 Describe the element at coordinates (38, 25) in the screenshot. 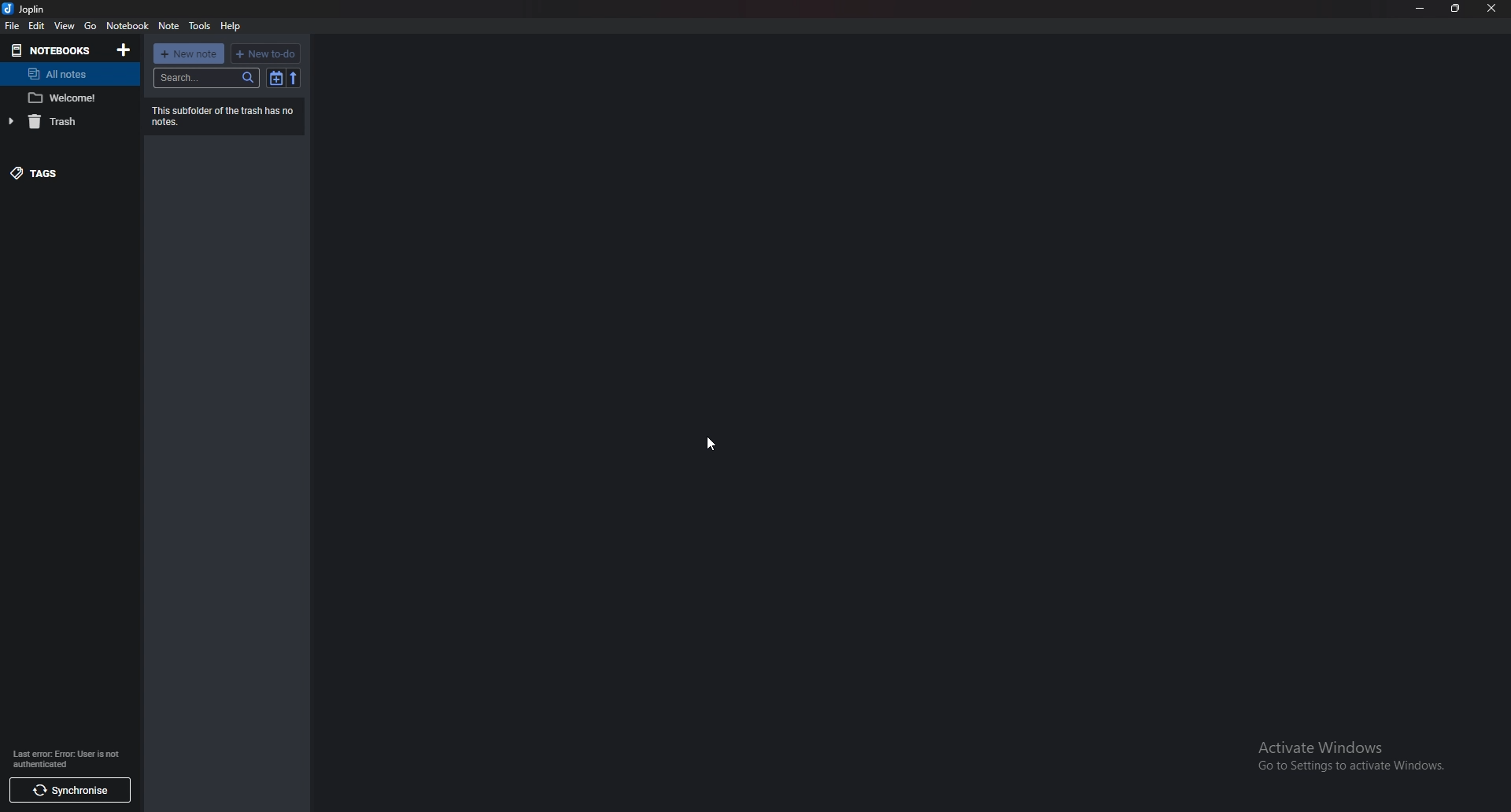

I see `Edit` at that location.